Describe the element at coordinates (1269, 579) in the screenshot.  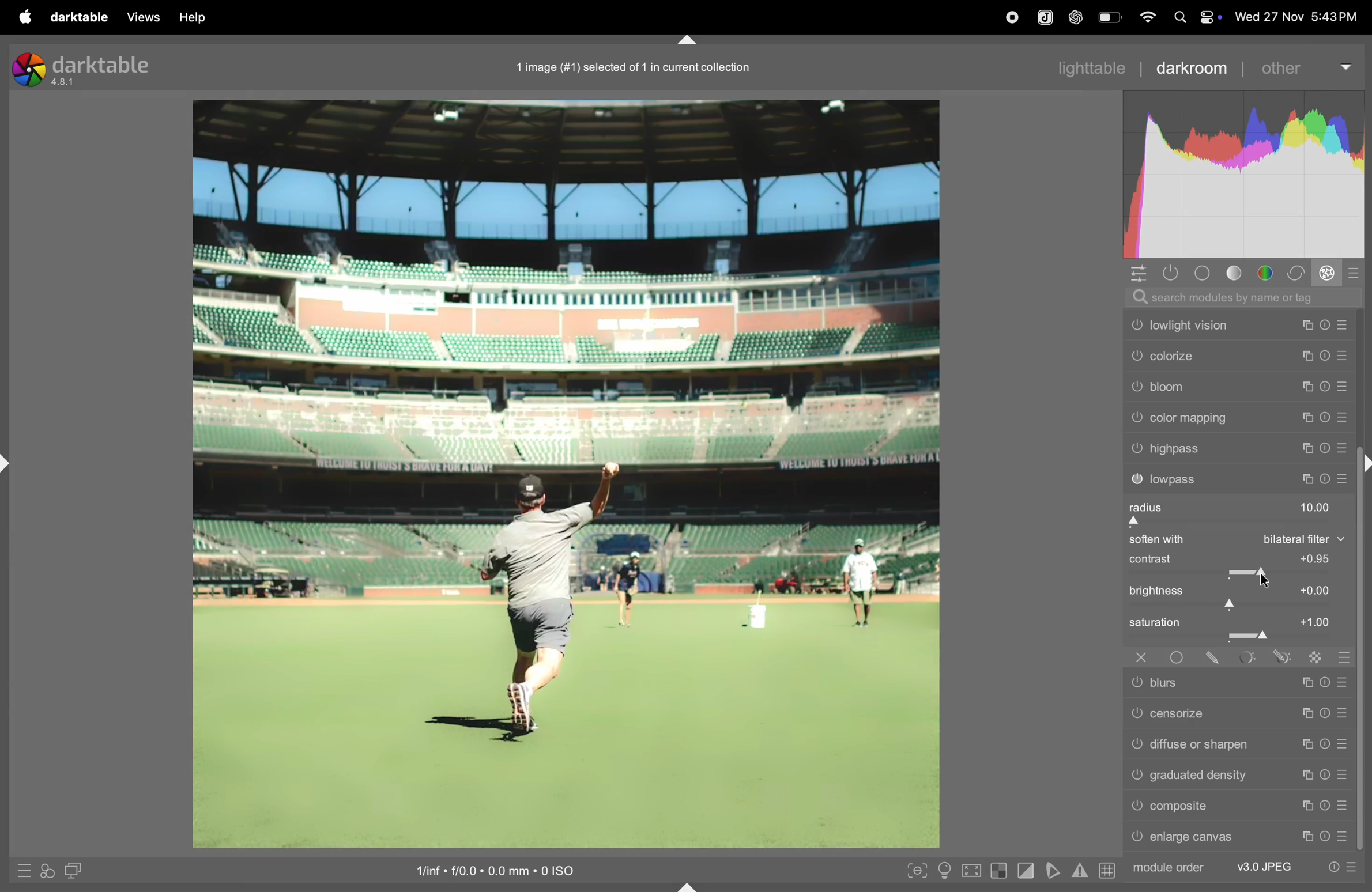
I see `cursor` at that location.